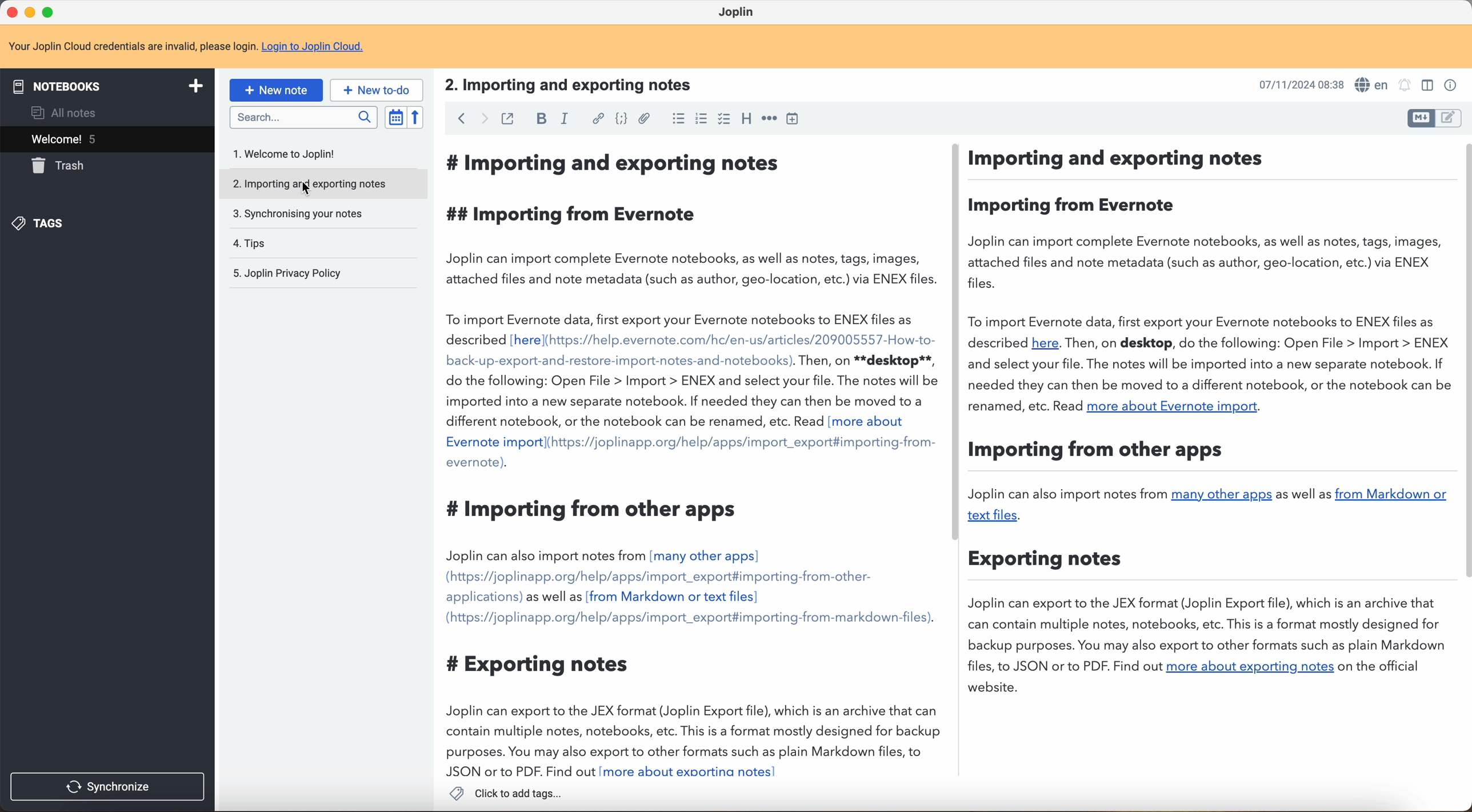 The height and width of the screenshot is (812, 1472). Describe the element at coordinates (111, 85) in the screenshot. I see `notebooks` at that location.